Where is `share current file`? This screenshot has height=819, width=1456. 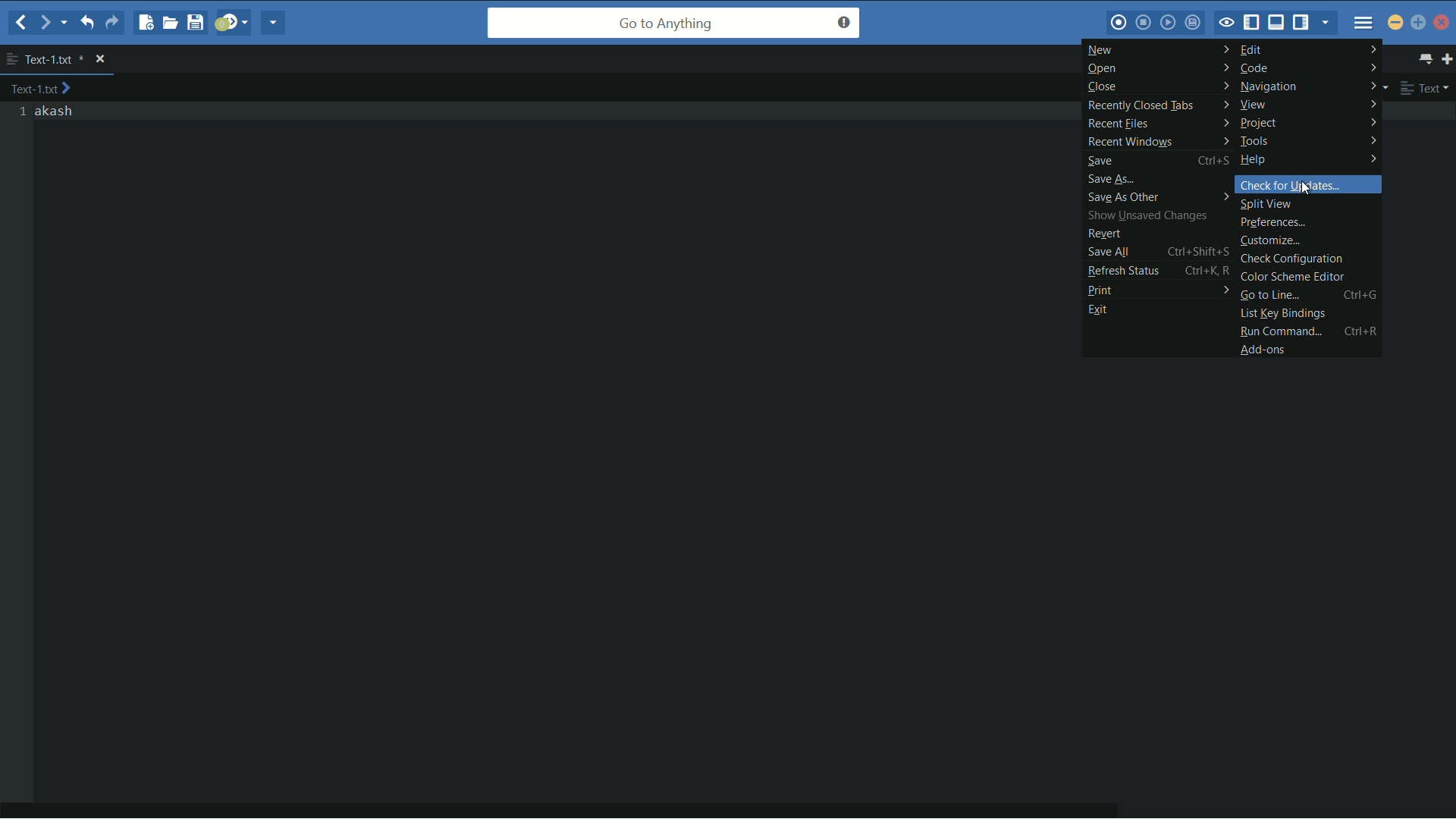
share current file is located at coordinates (272, 23).